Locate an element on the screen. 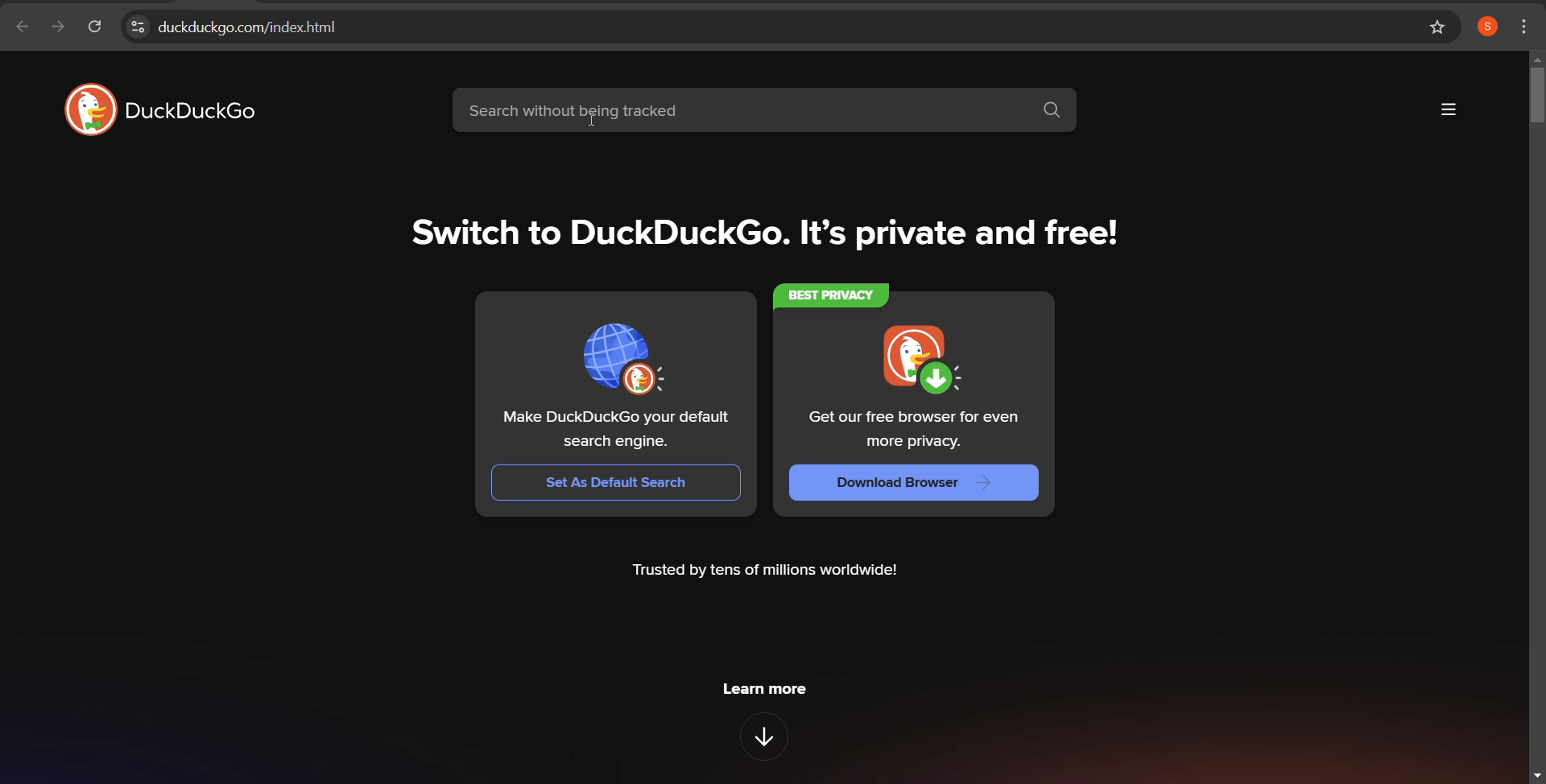 The width and height of the screenshot is (1546, 784). vertical scroll bar is located at coordinates (1536, 93).